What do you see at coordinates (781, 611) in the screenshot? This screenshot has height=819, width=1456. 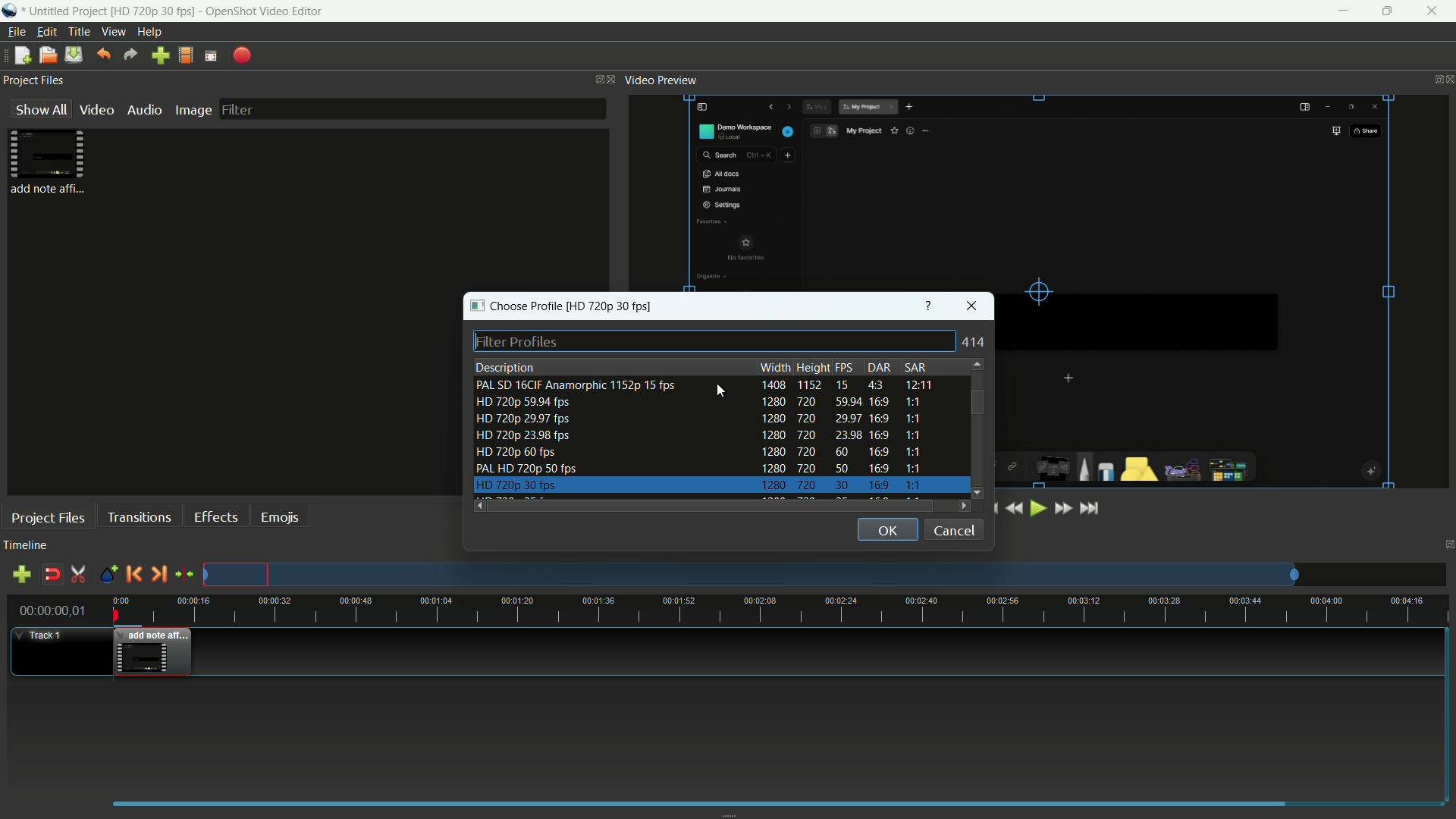 I see `time` at bounding box center [781, 611].